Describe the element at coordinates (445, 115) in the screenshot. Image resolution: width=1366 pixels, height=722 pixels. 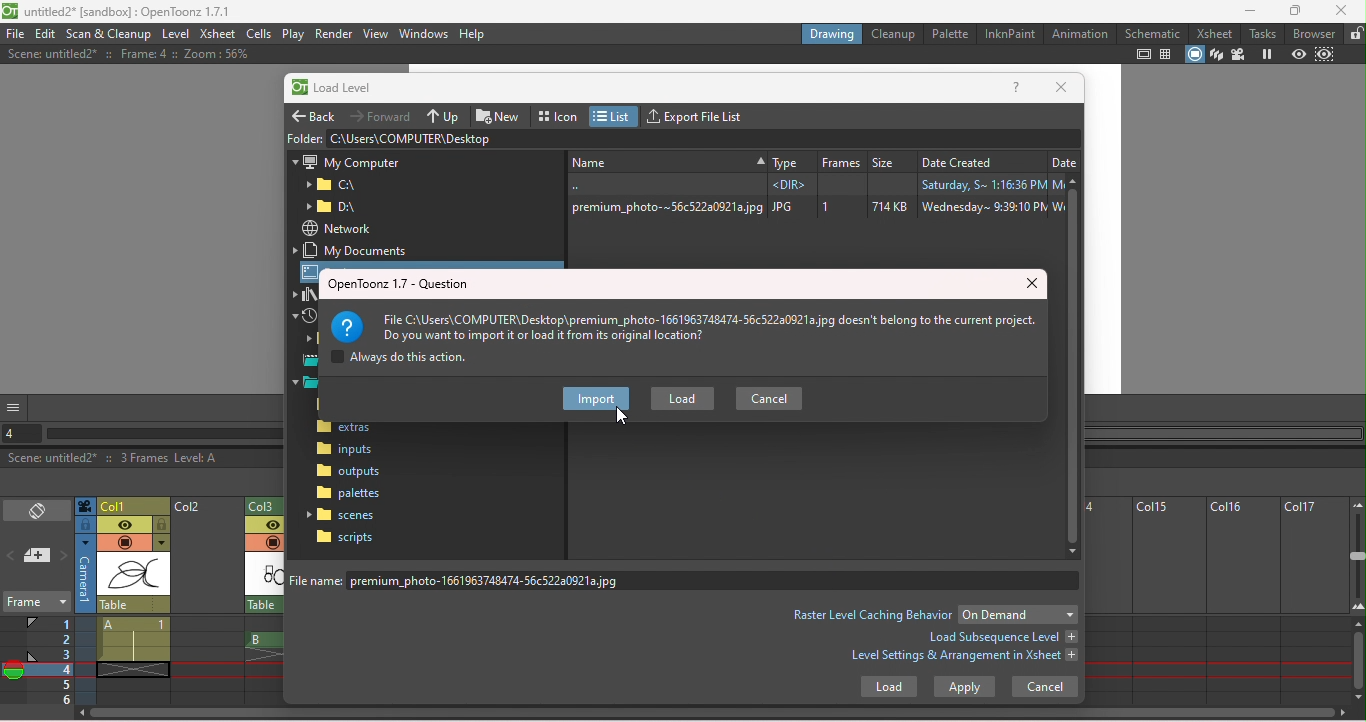
I see `Up` at that location.